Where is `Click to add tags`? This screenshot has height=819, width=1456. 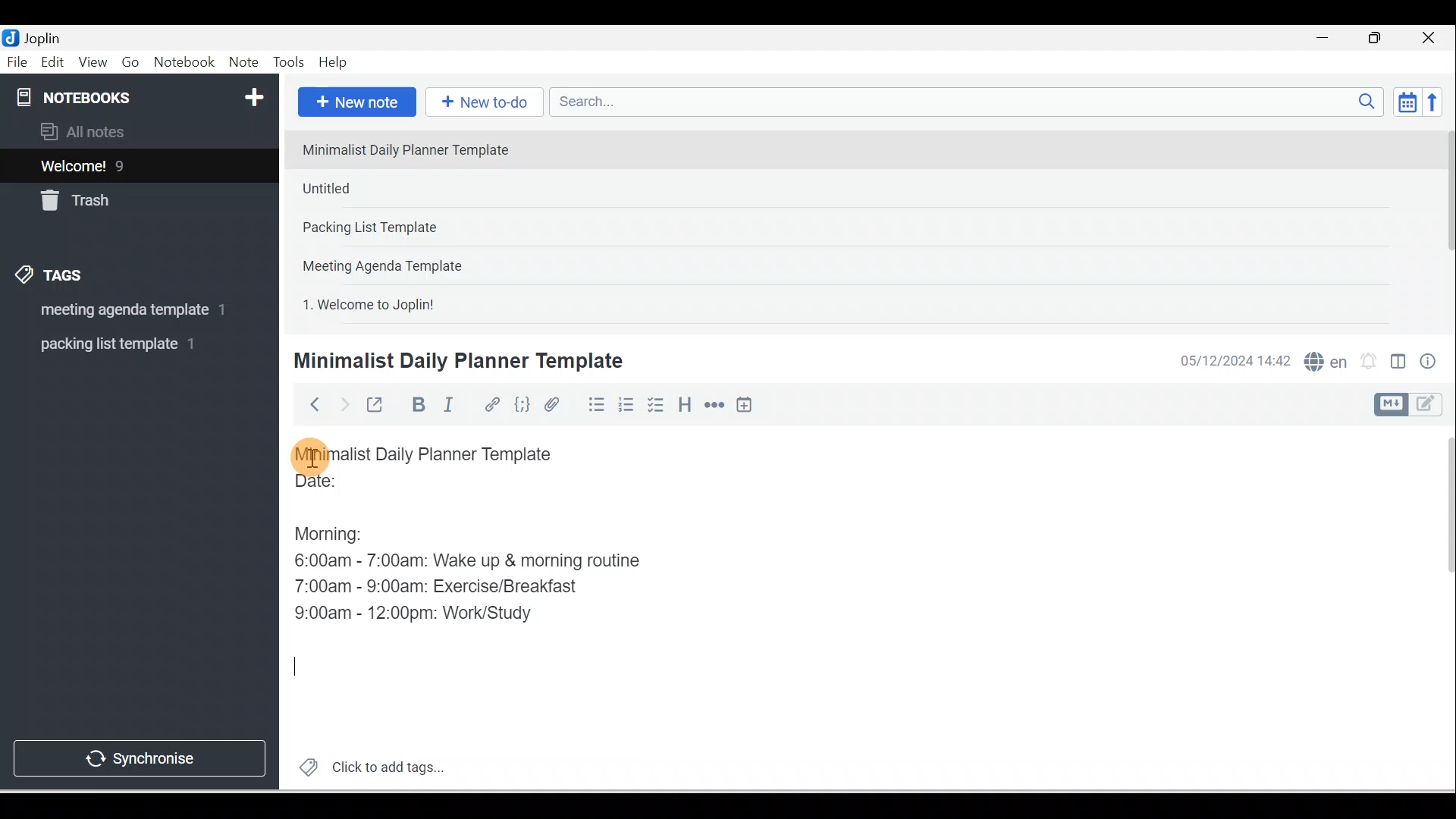 Click to add tags is located at coordinates (366, 765).